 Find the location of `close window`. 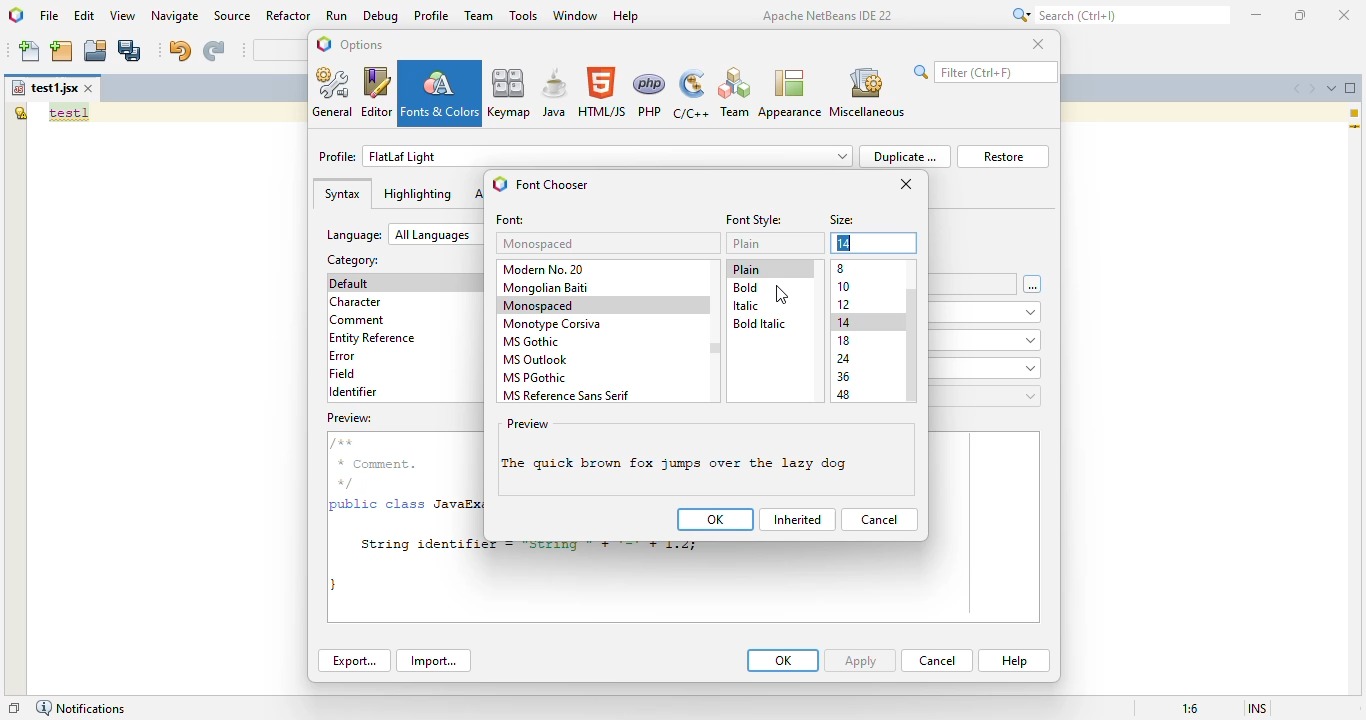

close window is located at coordinates (90, 88).